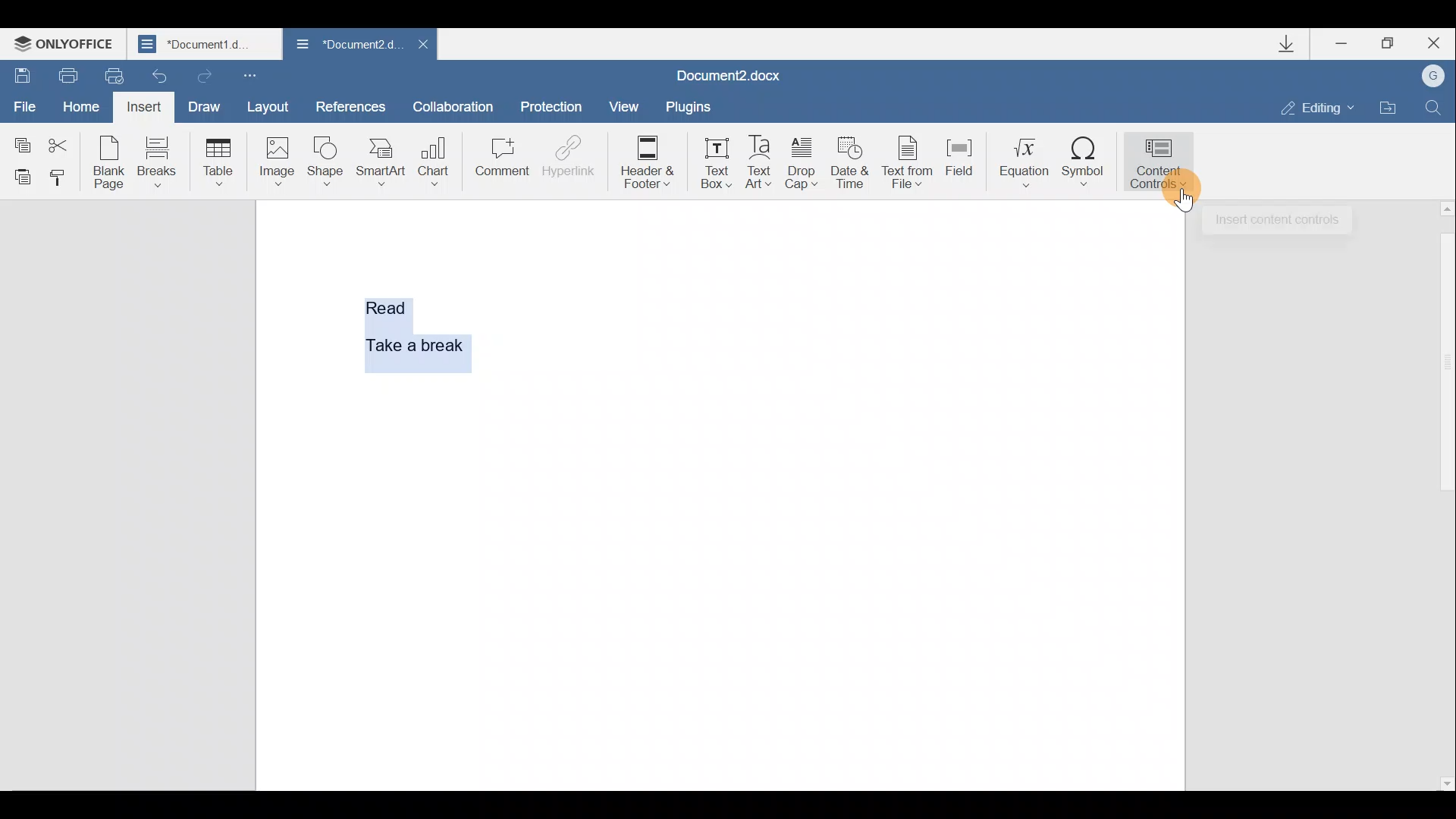  I want to click on Redo, so click(204, 75).